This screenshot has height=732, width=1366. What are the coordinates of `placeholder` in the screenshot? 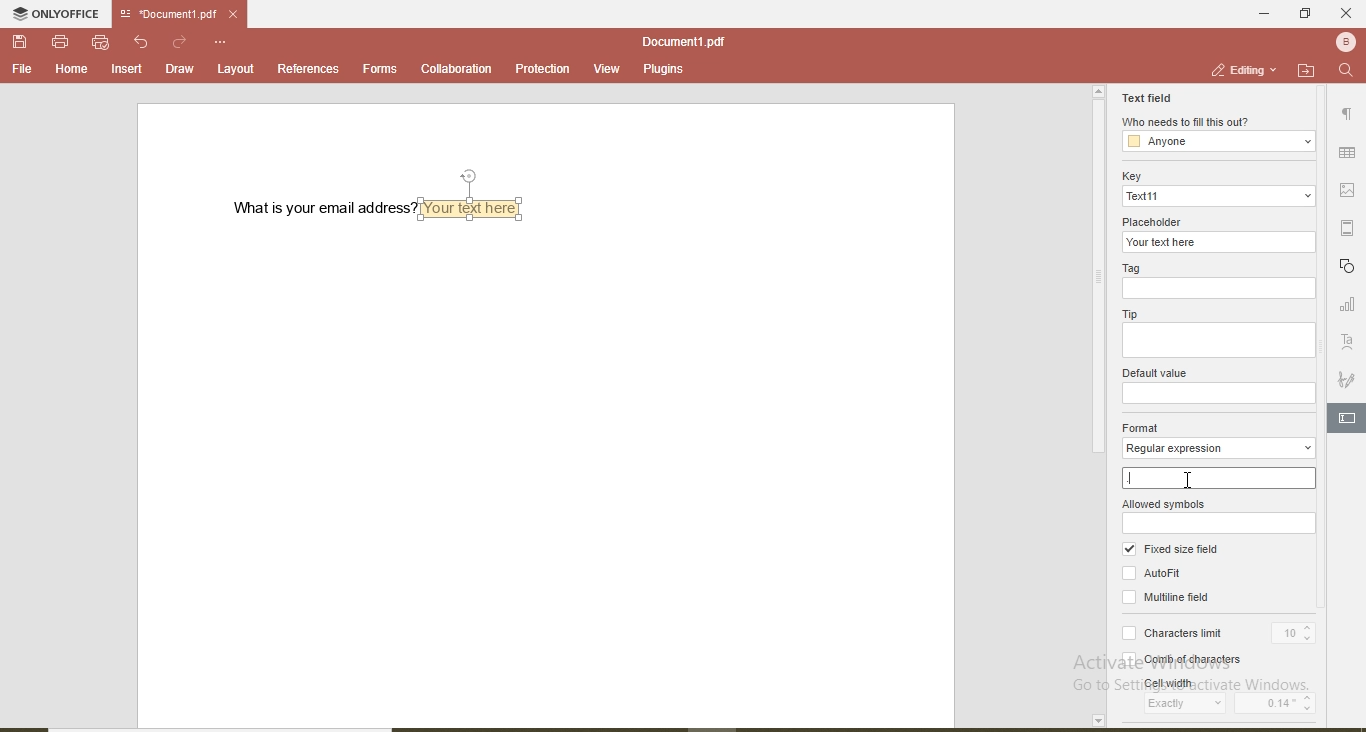 It's located at (1156, 220).